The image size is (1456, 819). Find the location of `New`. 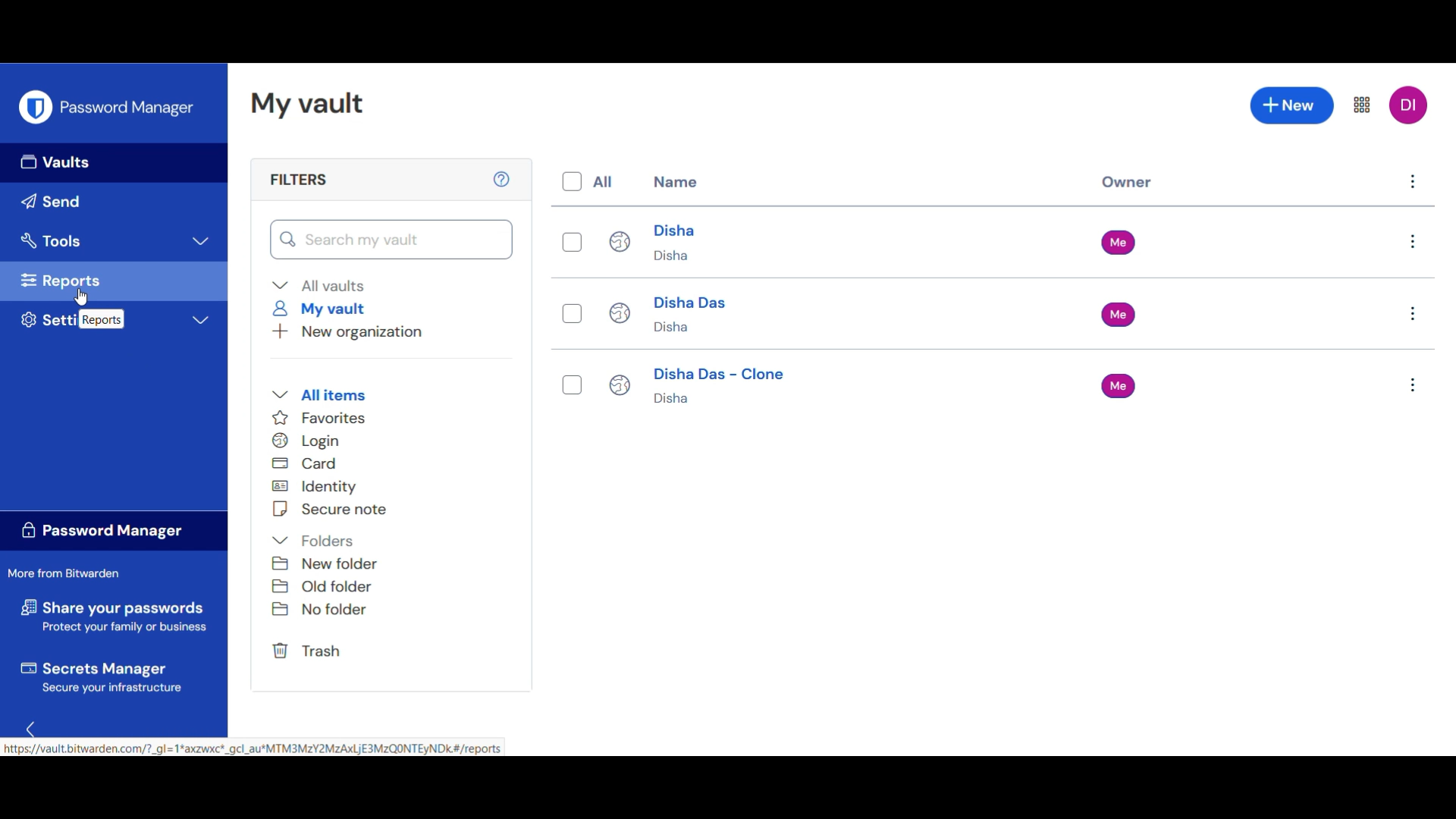

New is located at coordinates (1292, 105).